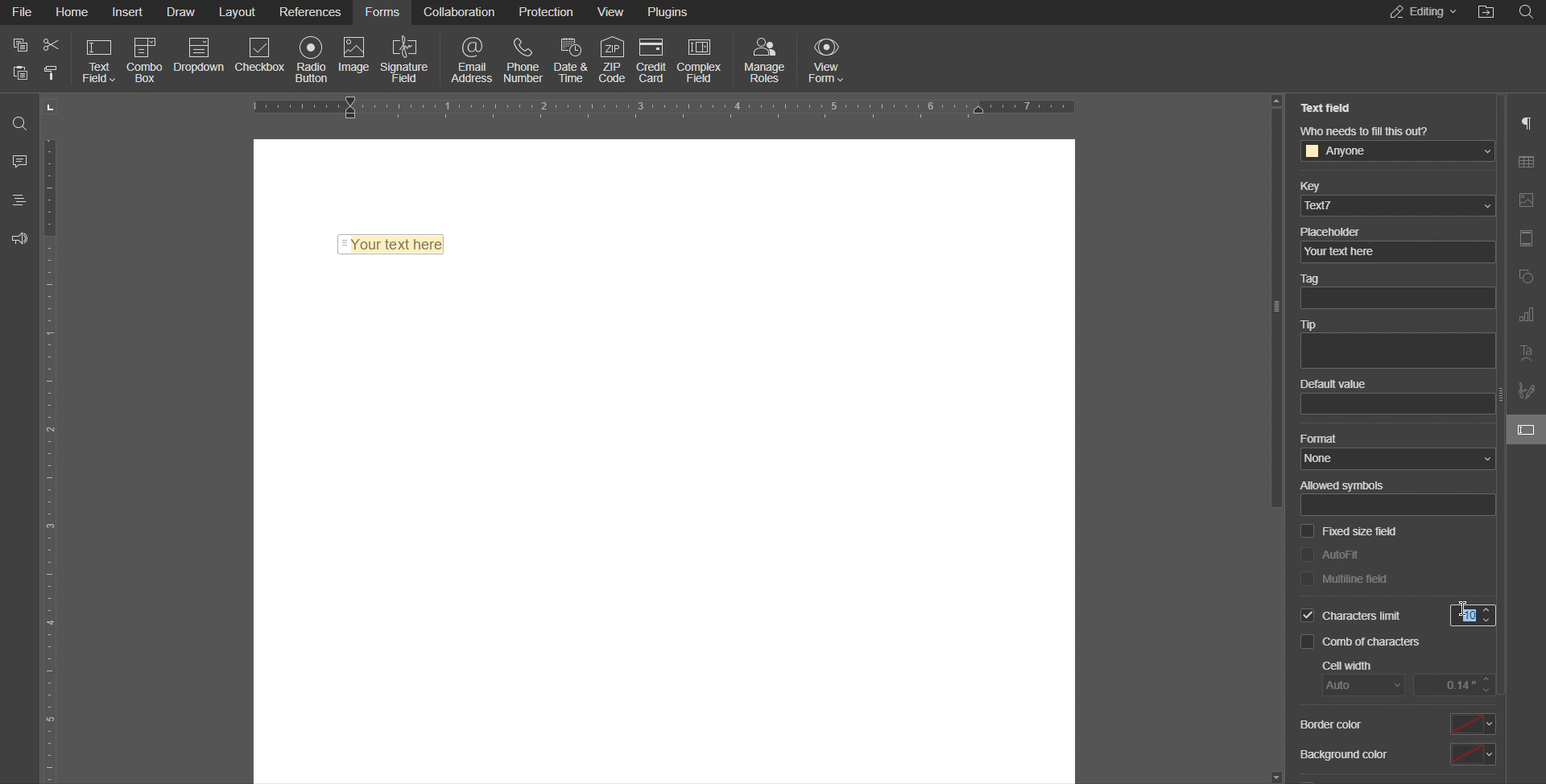 This screenshot has height=784, width=1546. Describe the element at coordinates (473, 57) in the screenshot. I see `Email Address` at that location.